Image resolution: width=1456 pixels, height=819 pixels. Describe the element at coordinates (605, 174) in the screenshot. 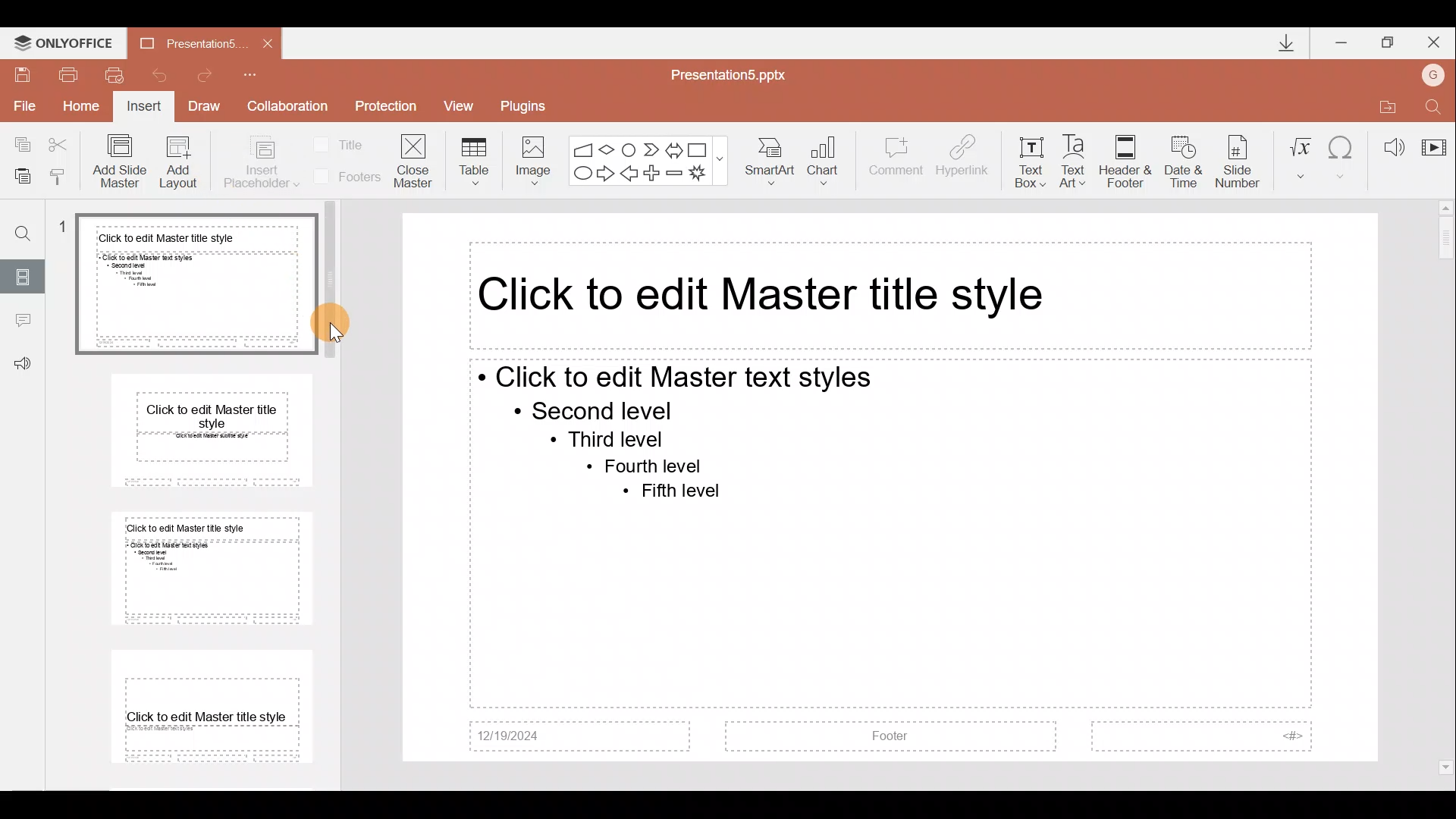

I see `Right arrow` at that location.